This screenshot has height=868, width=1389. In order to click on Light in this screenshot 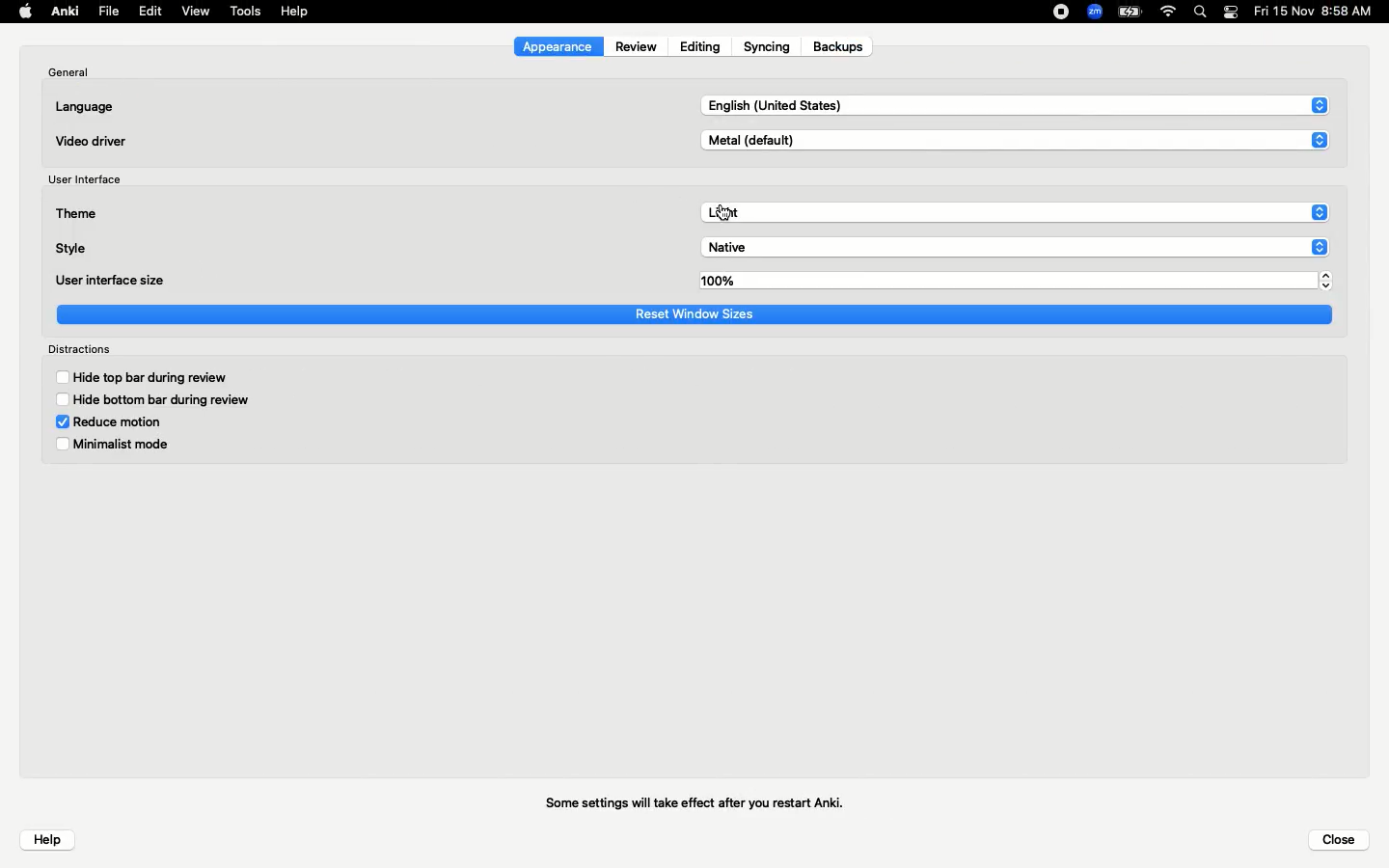, I will do `click(1012, 211)`.